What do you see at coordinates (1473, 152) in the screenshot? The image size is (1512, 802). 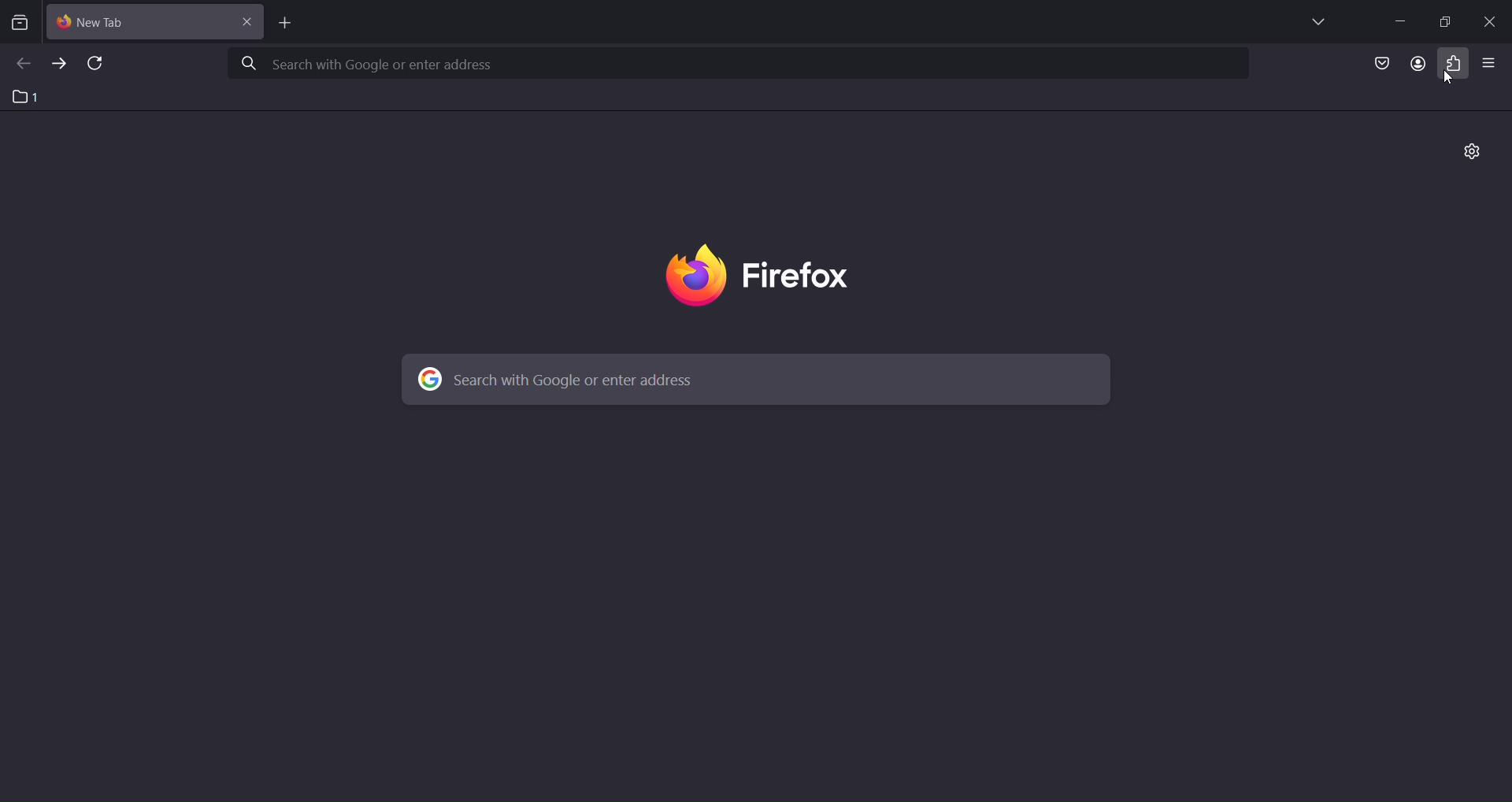 I see `personalize new tab` at bounding box center [1473, 152].